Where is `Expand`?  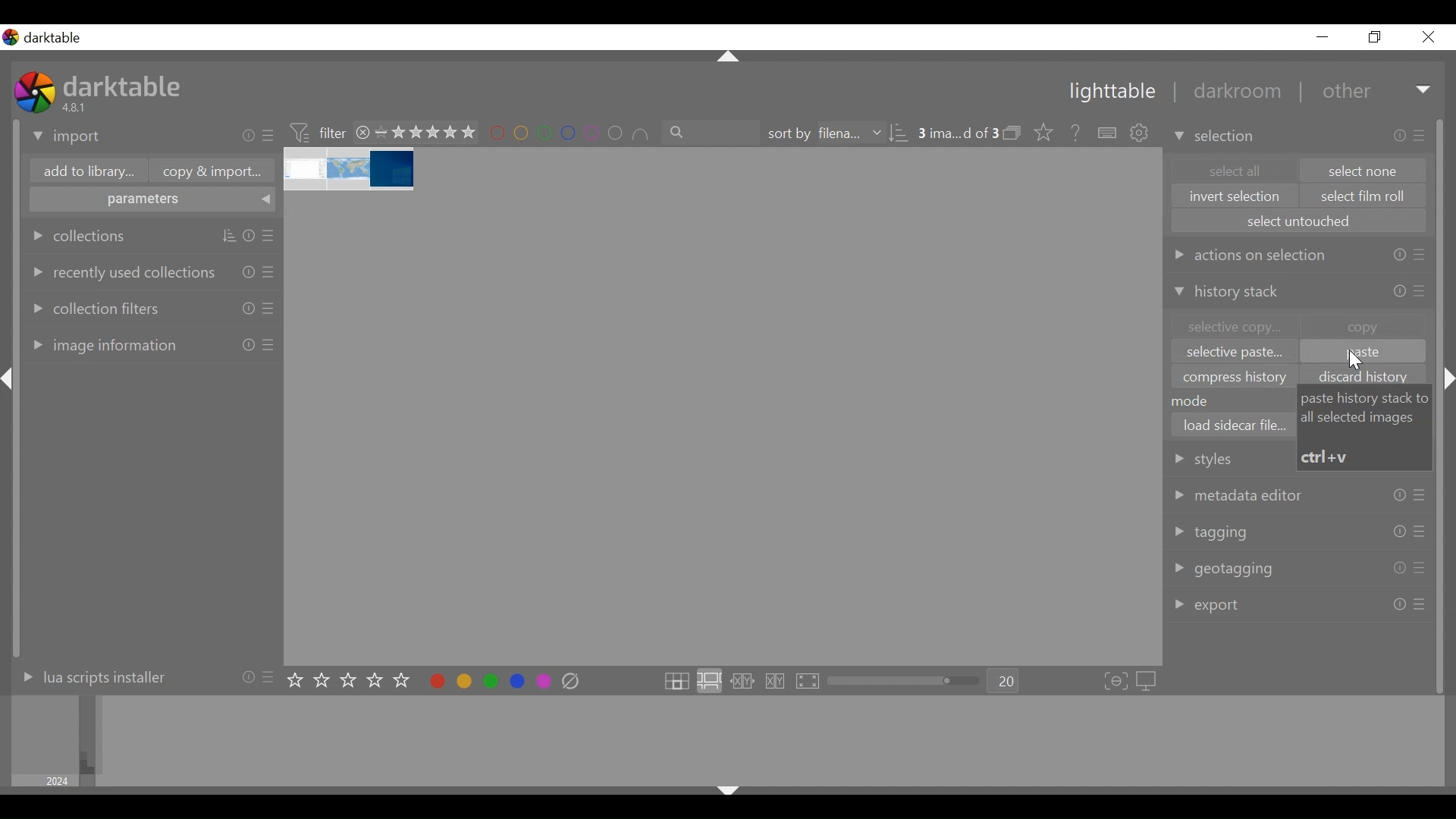 Expand is located at coordinates (1425, 91).